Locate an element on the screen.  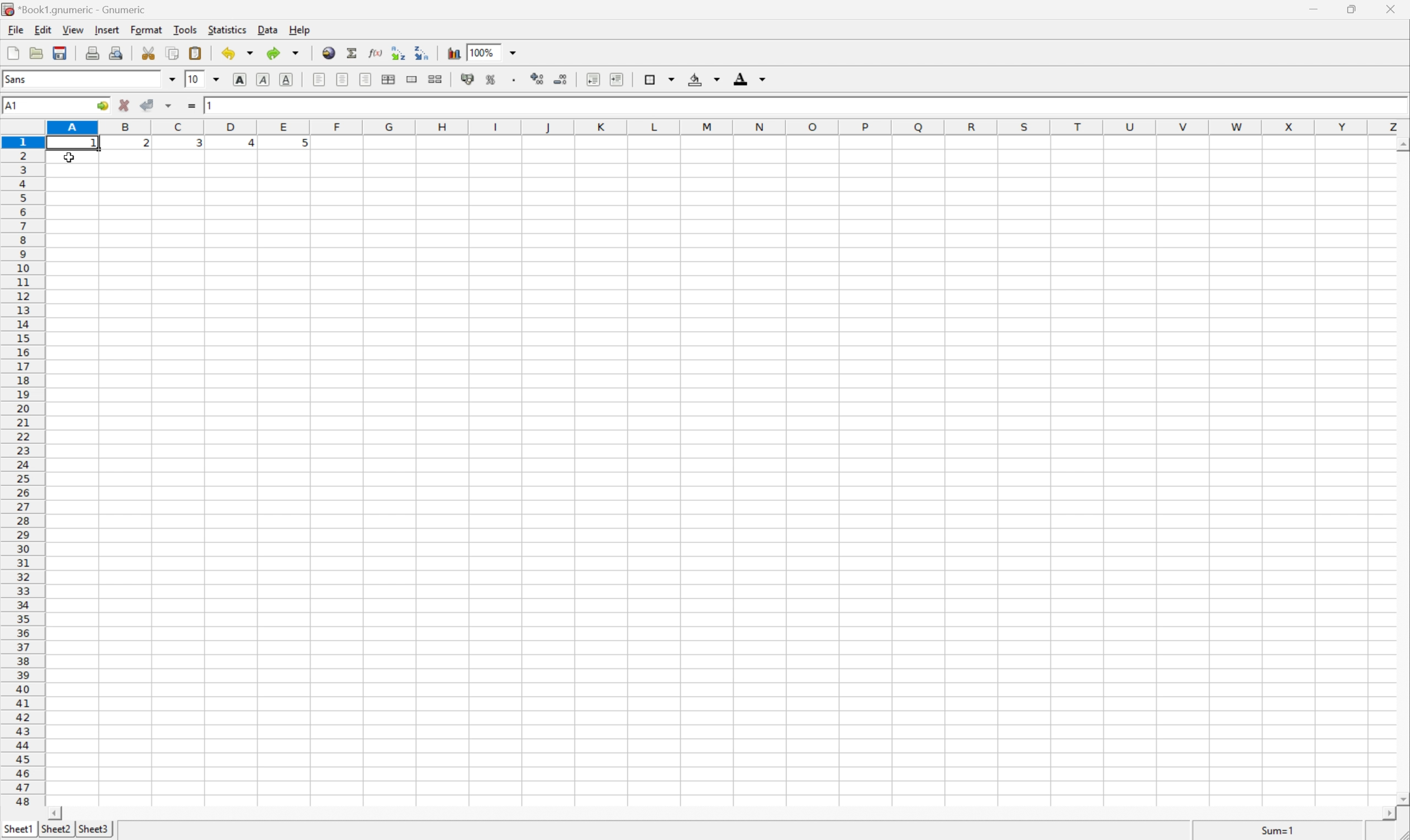
edit function in current cell is located at coordinates (377, 54).